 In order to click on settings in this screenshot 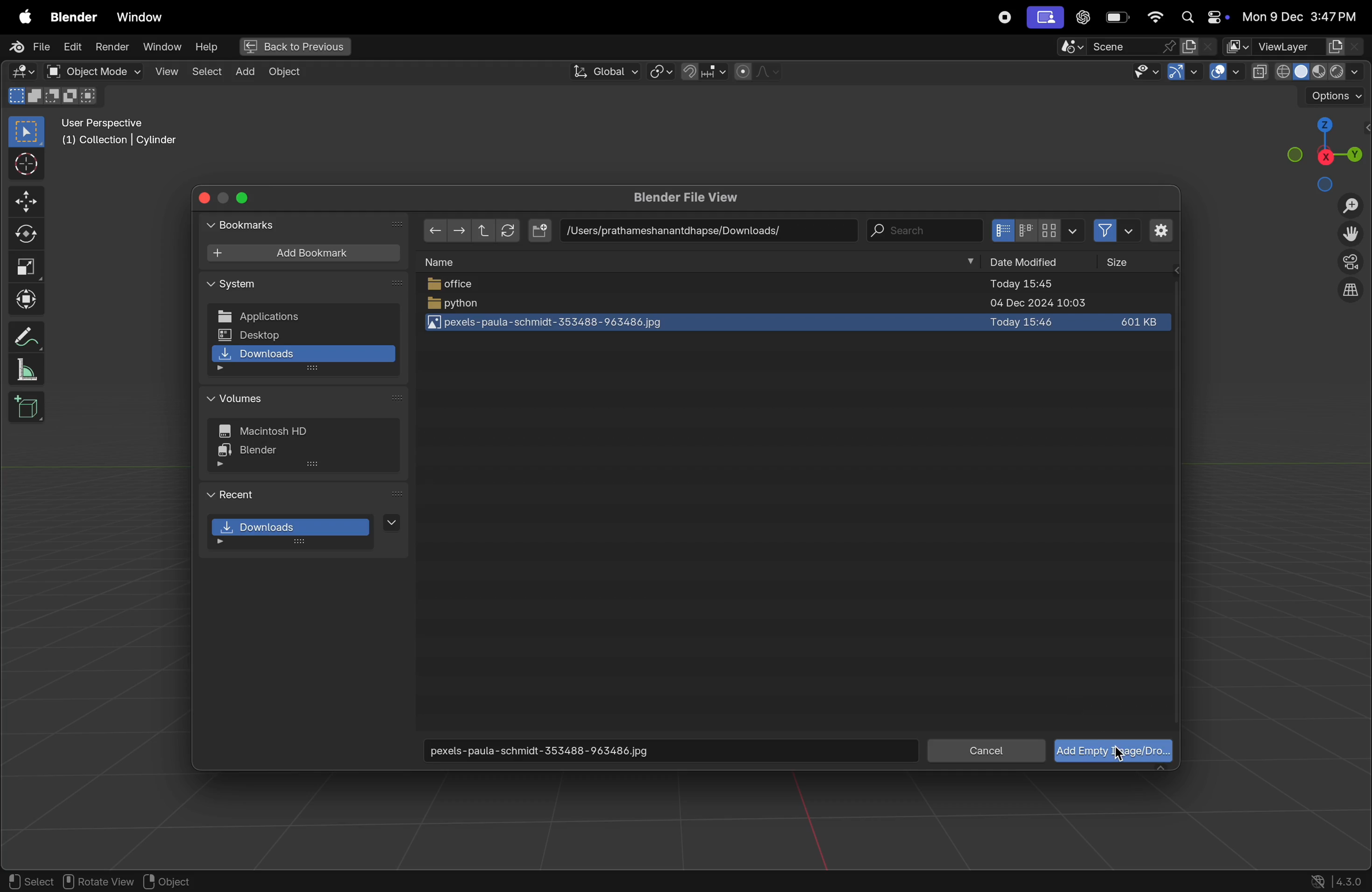, I will do `click(1160, 230)`.